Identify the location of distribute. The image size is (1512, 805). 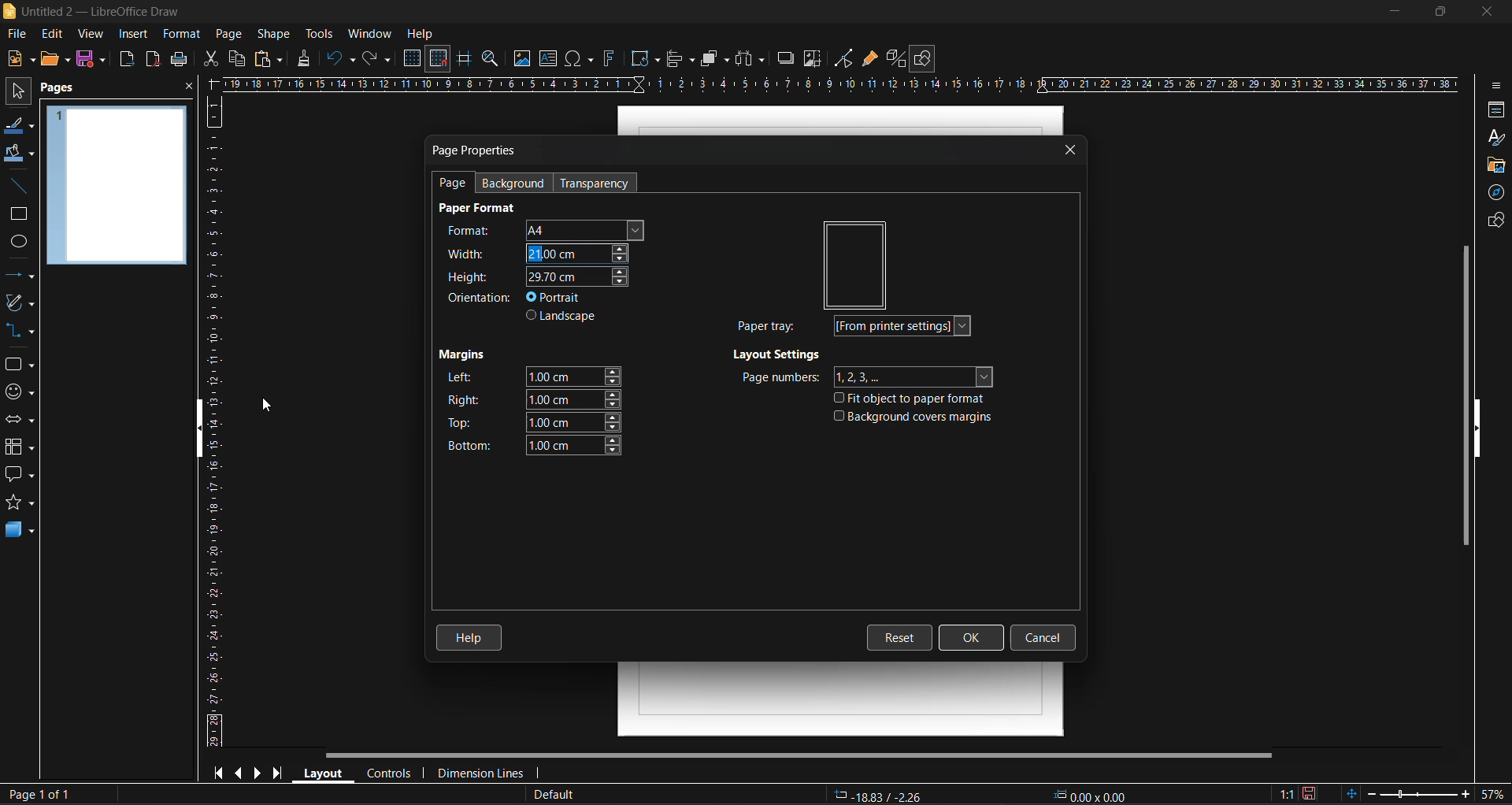
(749, 59).